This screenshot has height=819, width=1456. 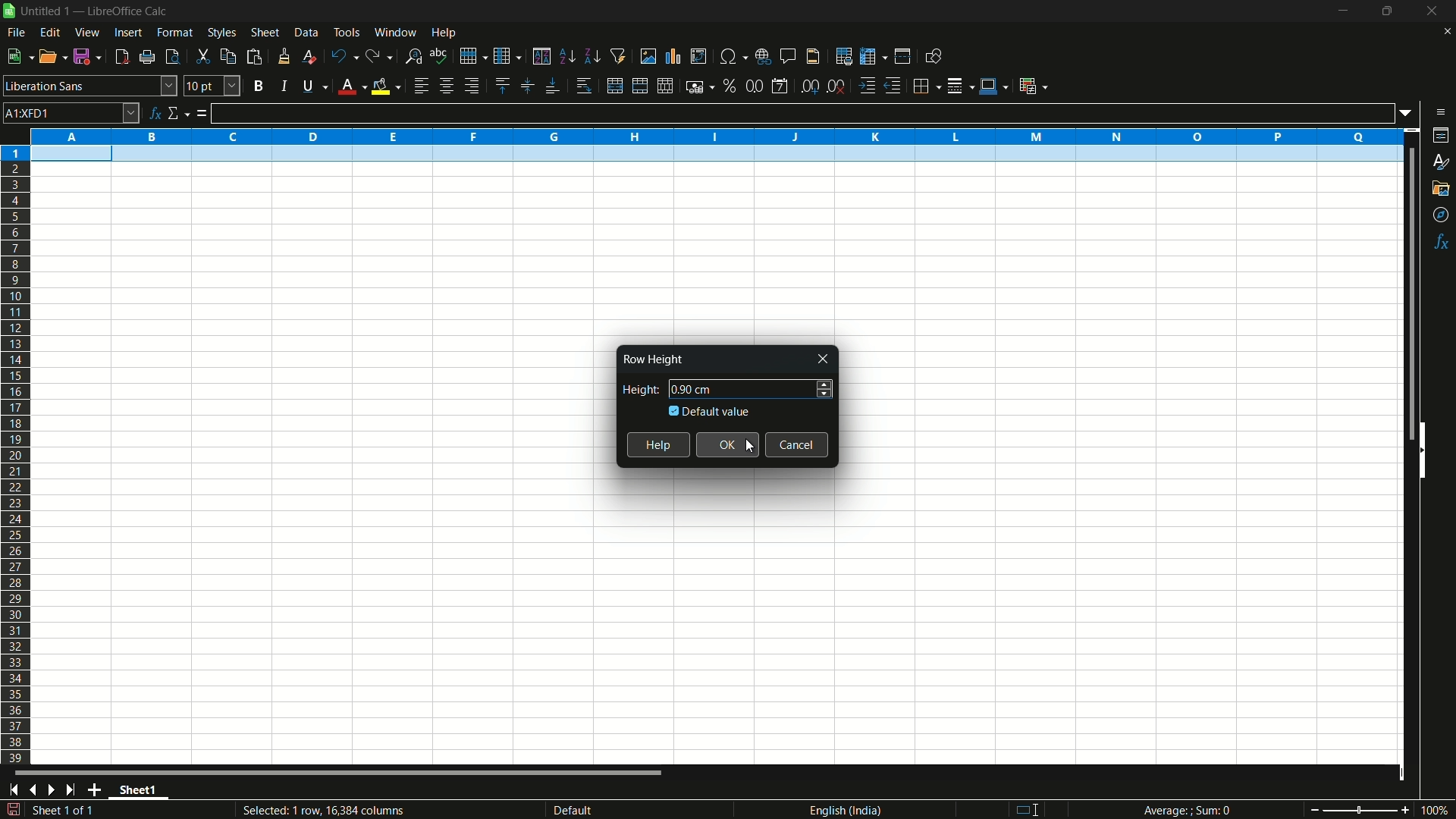 I want to click on cancel, so click(x=798, y=444).